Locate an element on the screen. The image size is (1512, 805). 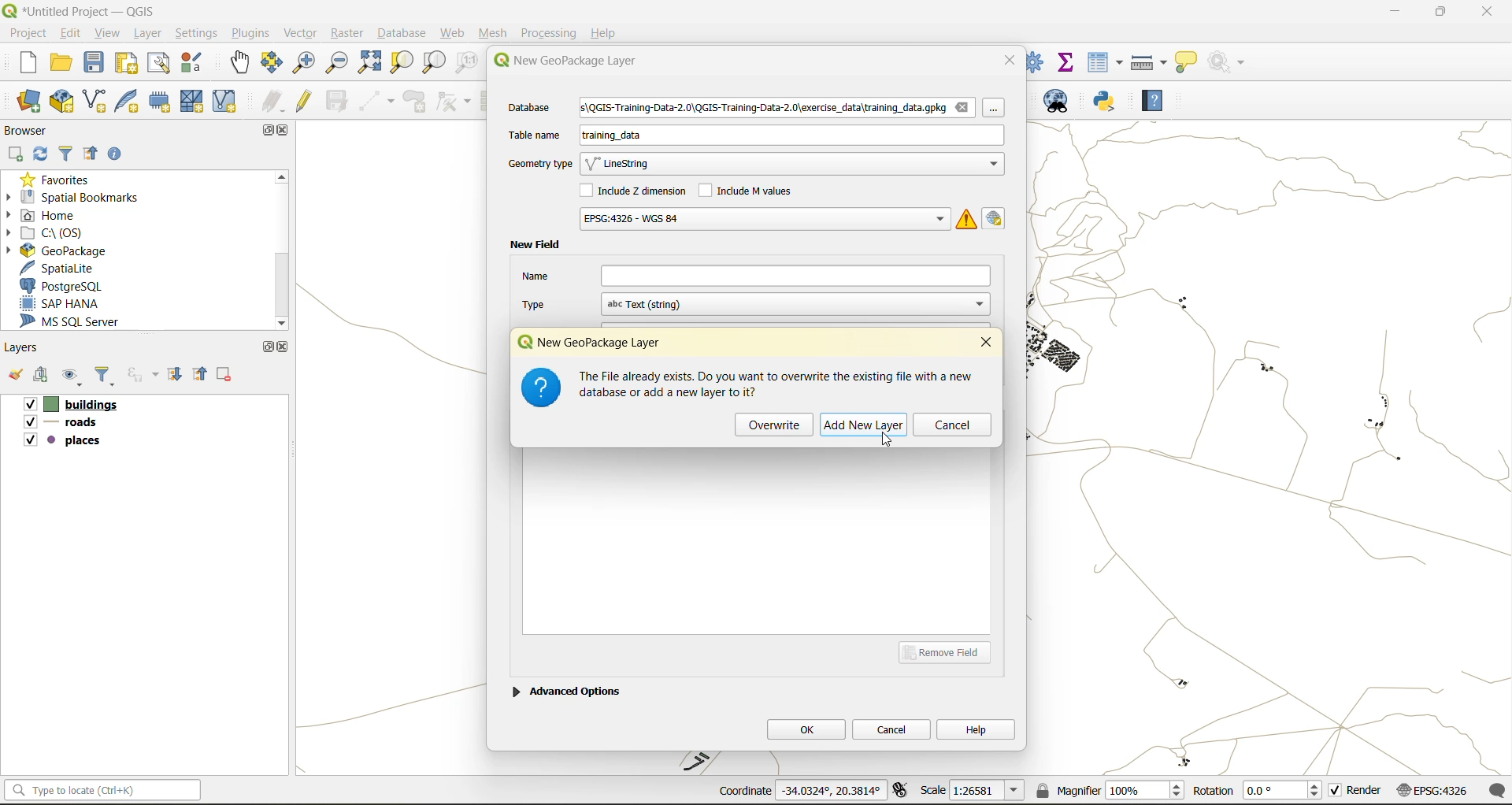
include z dimension is located at coordinates (636, 192).